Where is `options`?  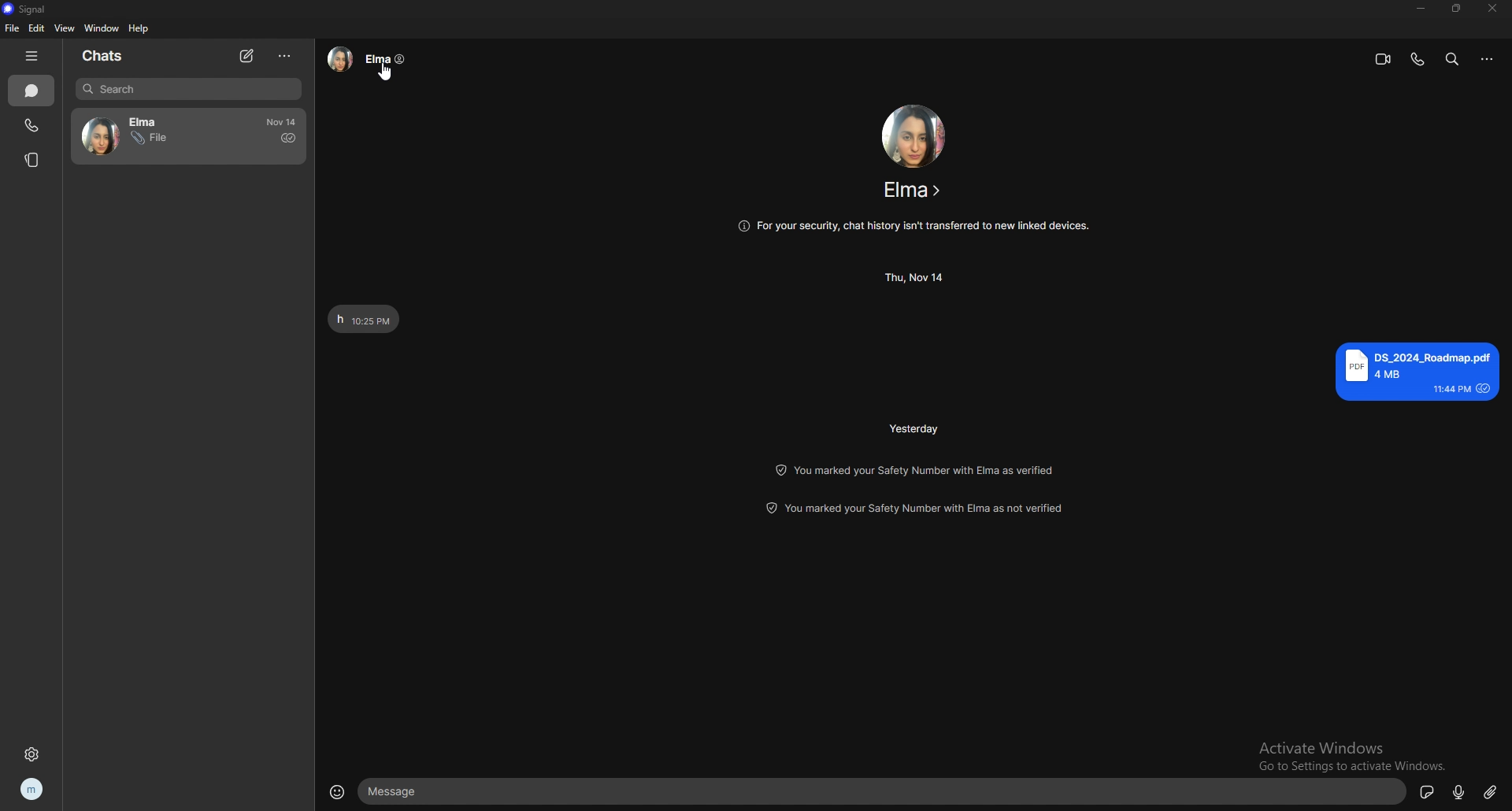
options is located at coordinates (285, 55).